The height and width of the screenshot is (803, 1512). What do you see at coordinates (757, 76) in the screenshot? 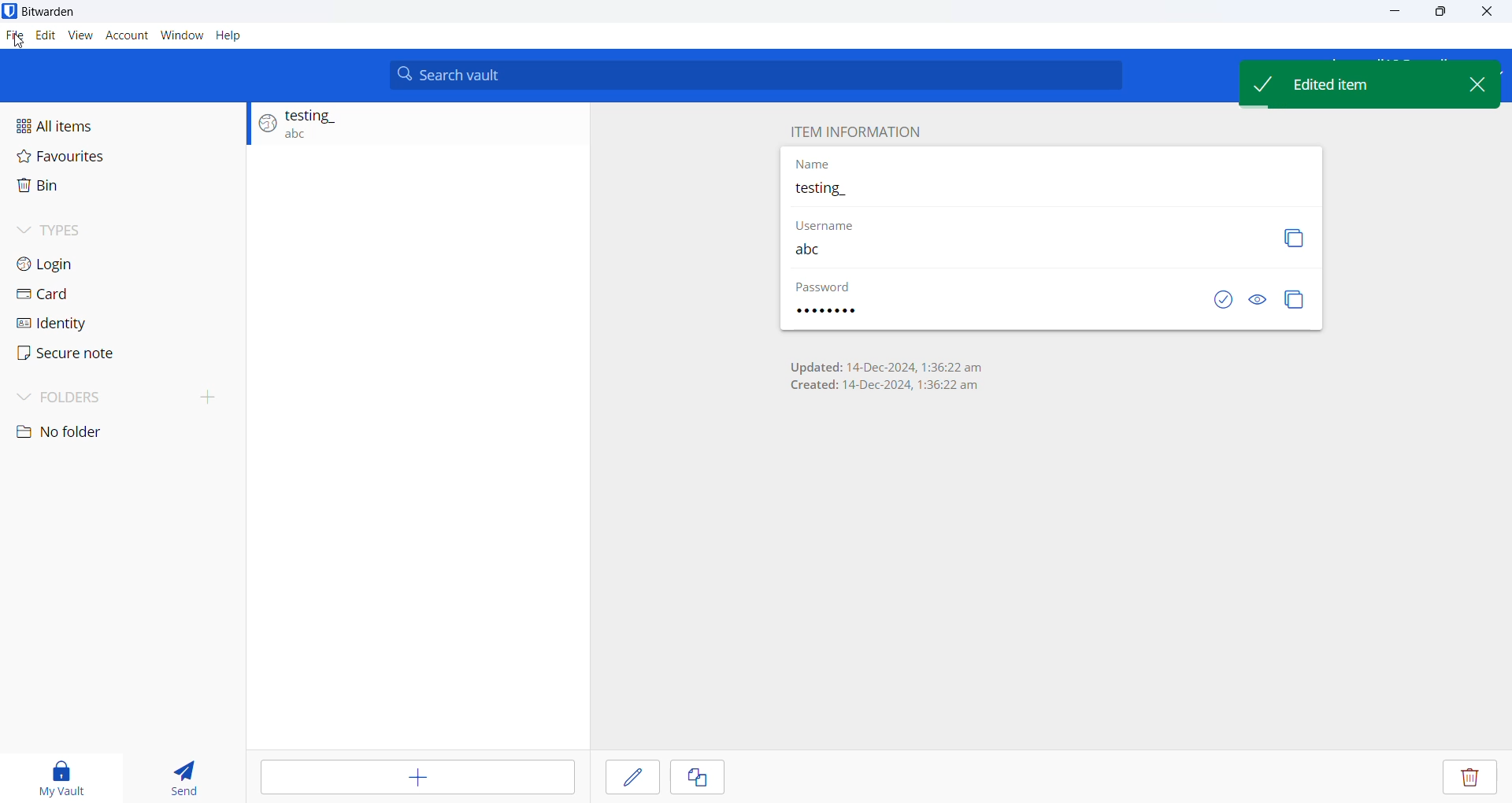
I see `Search bar` at bounding box center [757, 76].